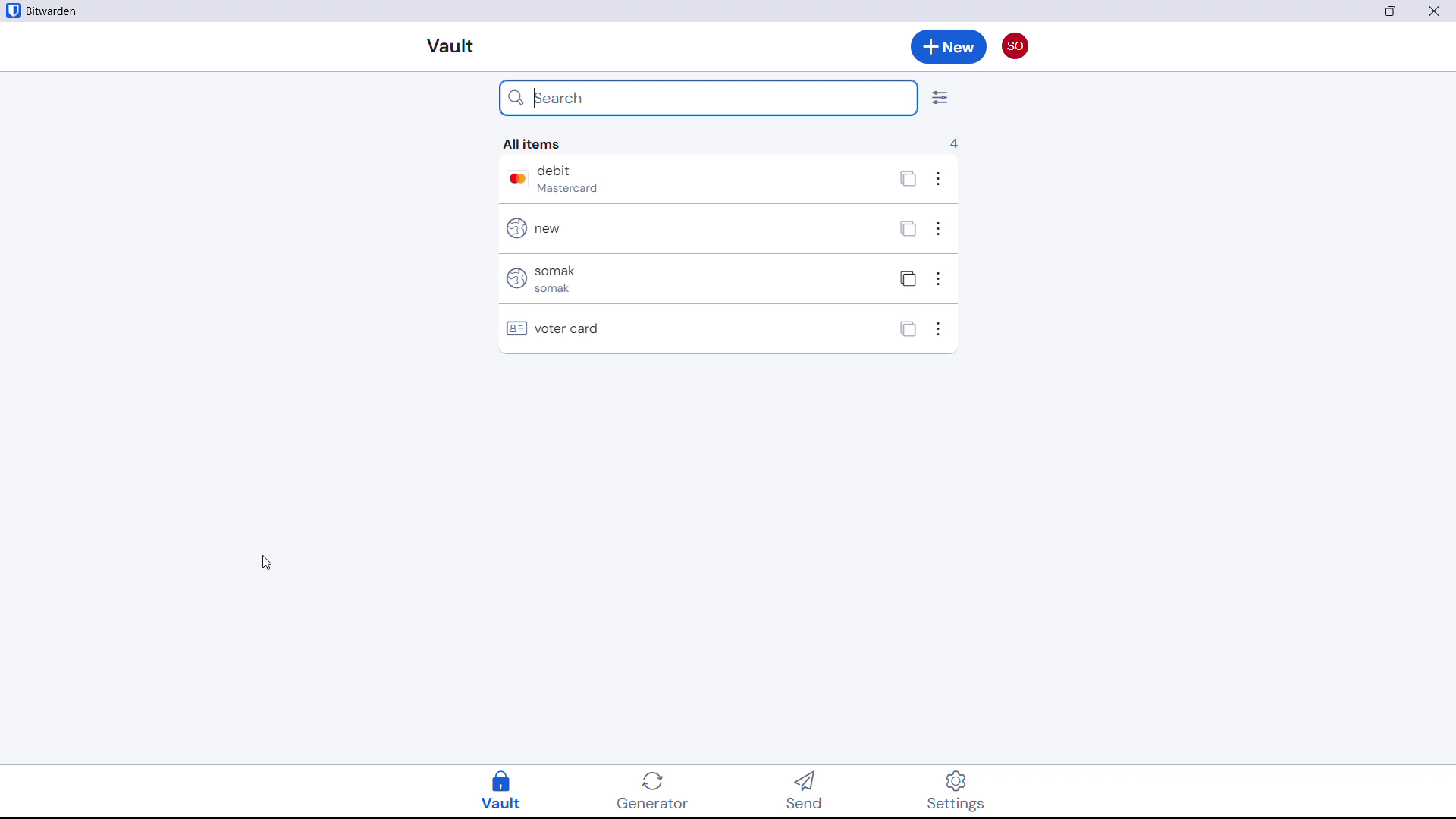  What do you see at coordinates (817, 789) in the screenshot?
I see `Send ` at bounding box center [817, 789].